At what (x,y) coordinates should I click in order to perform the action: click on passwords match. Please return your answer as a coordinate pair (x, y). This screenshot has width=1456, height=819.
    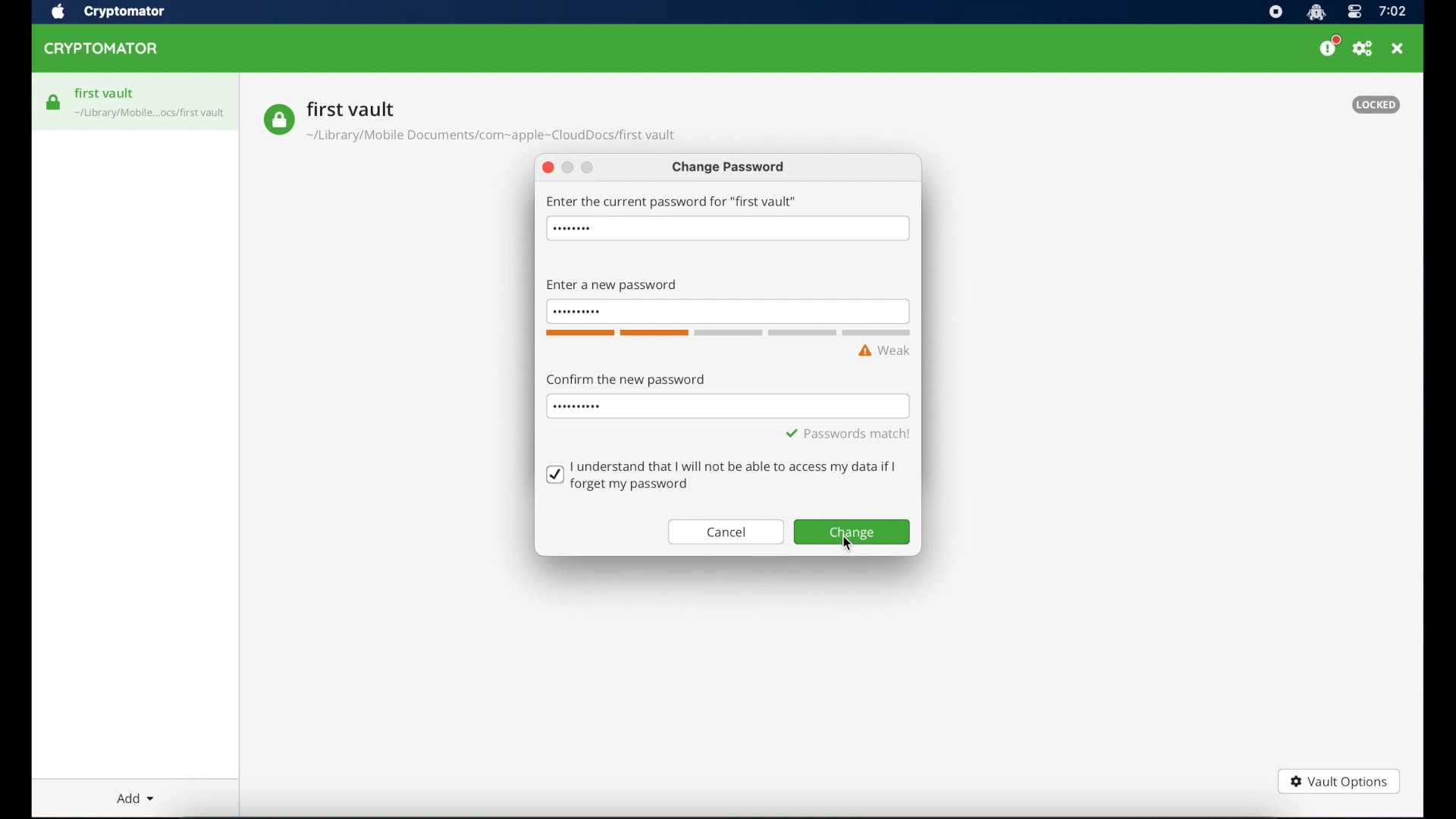
    Looking at the image, I should click on (847, 434).